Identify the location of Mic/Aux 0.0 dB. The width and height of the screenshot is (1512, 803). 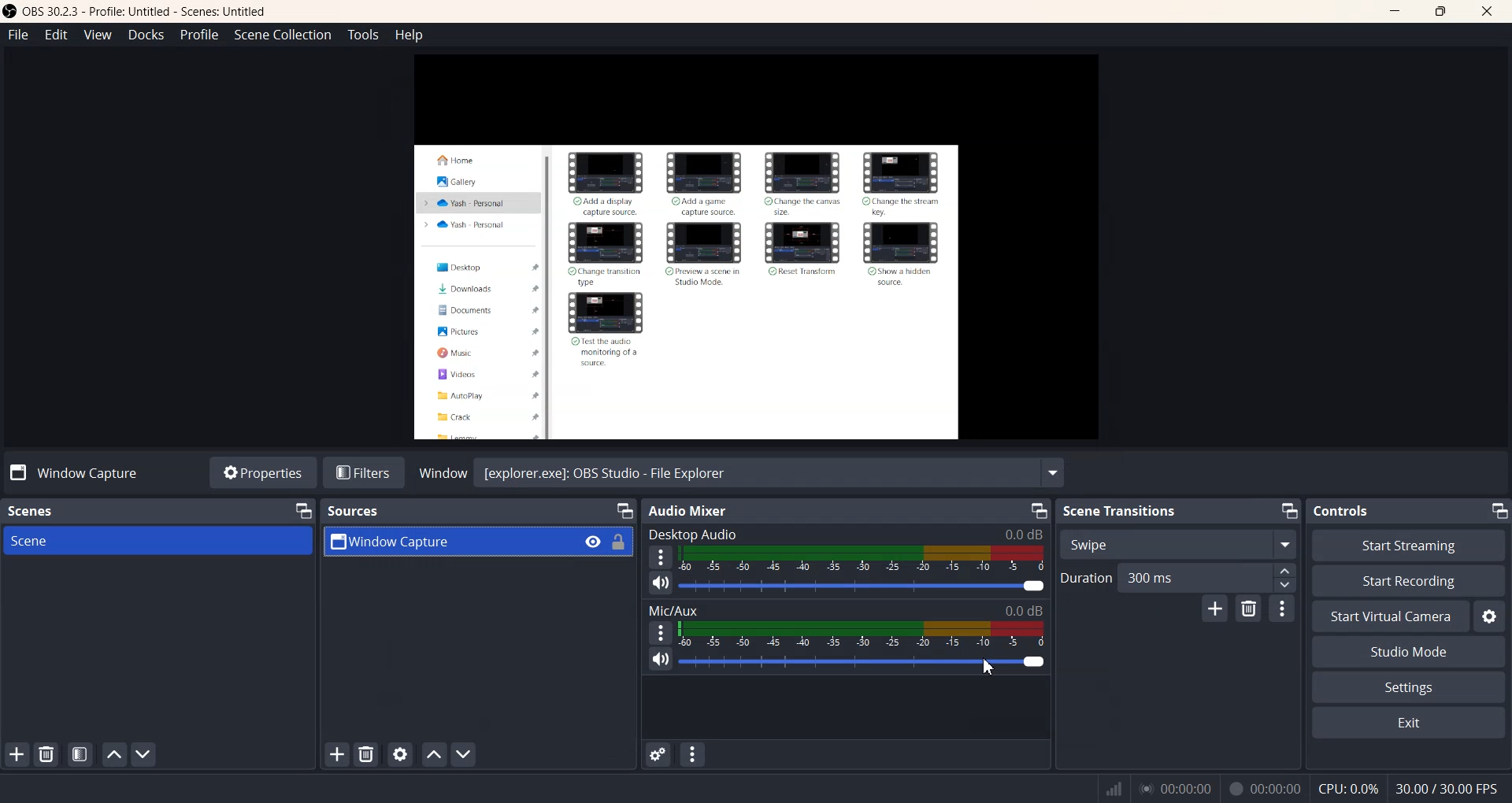
(845, 610).